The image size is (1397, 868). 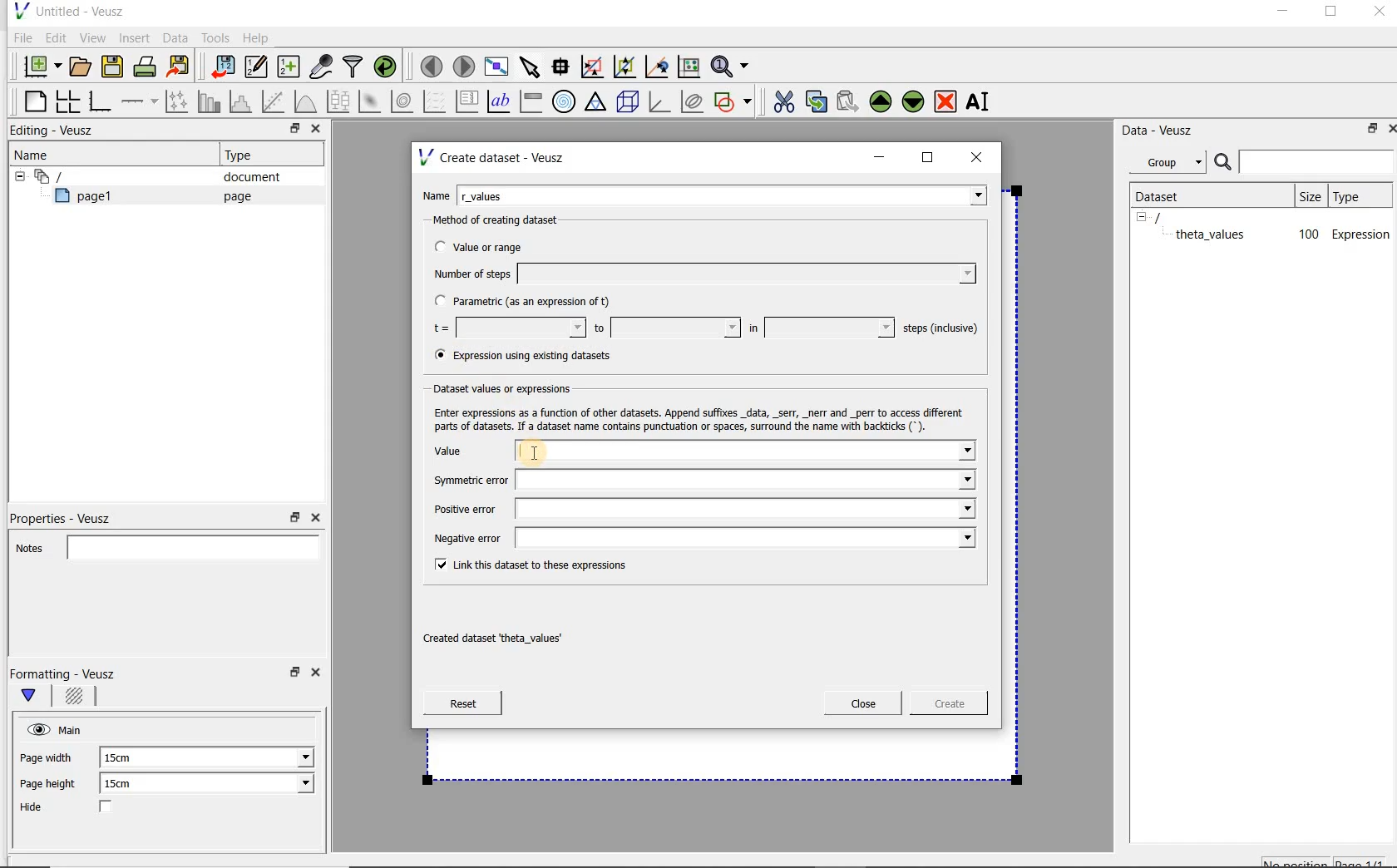 What do you see at coordinates (928, 158) in the screenshot?
I see `maximize` at bounding box center [928, 158].